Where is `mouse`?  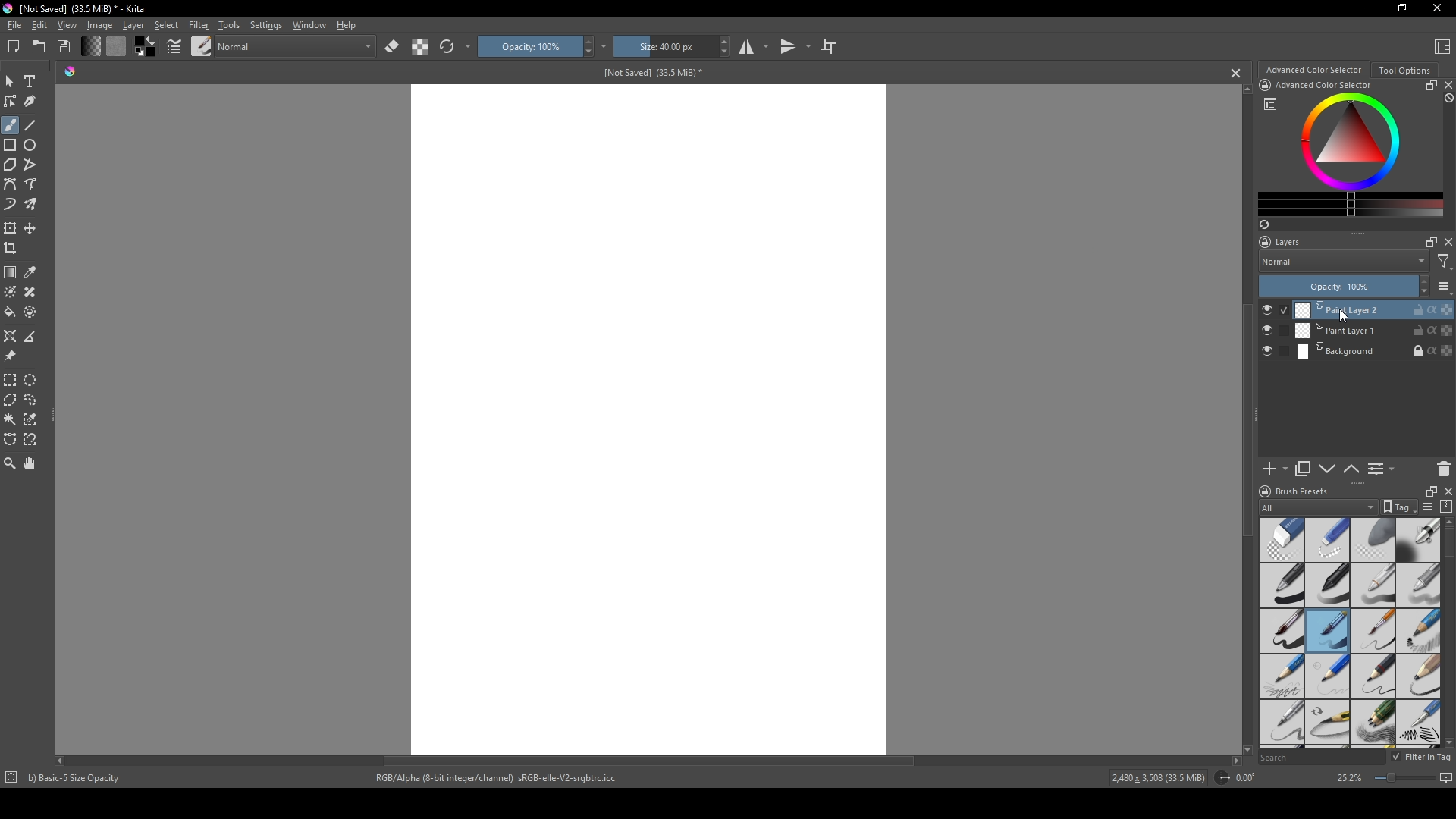
mouse is located at coordinates (9, 82).